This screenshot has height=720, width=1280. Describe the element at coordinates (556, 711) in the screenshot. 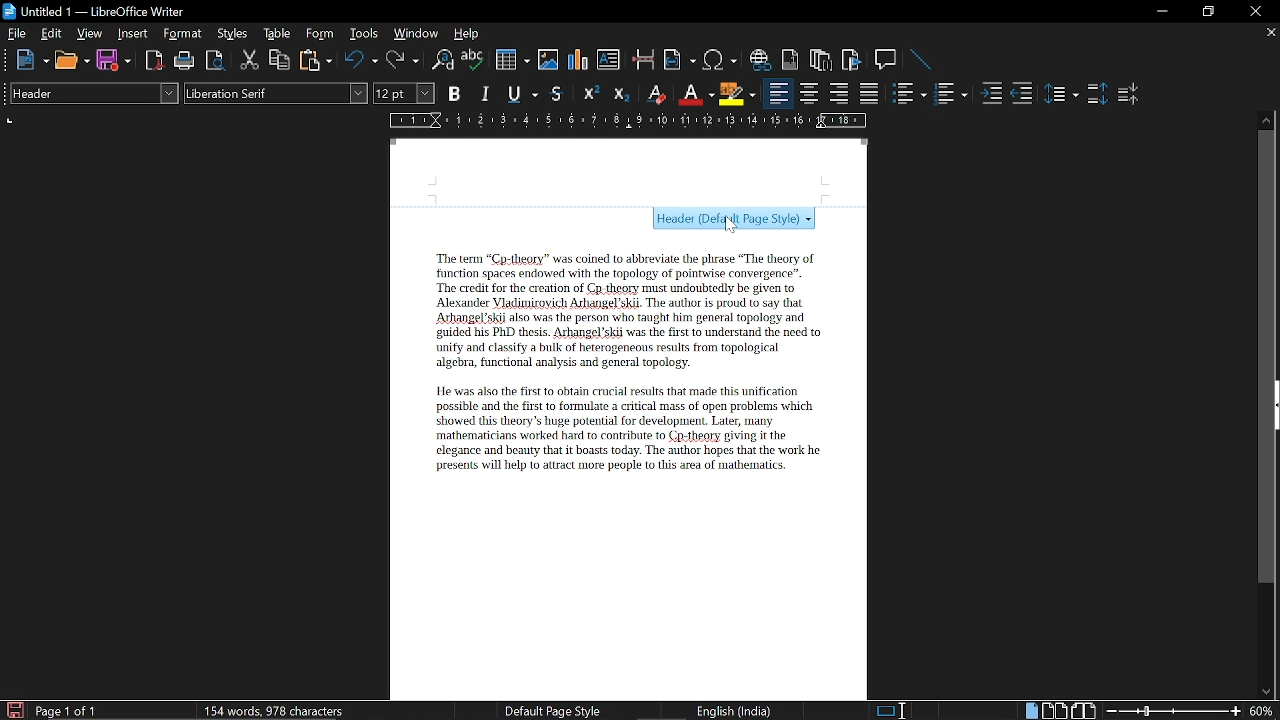

I see `page style Page style` at that location.